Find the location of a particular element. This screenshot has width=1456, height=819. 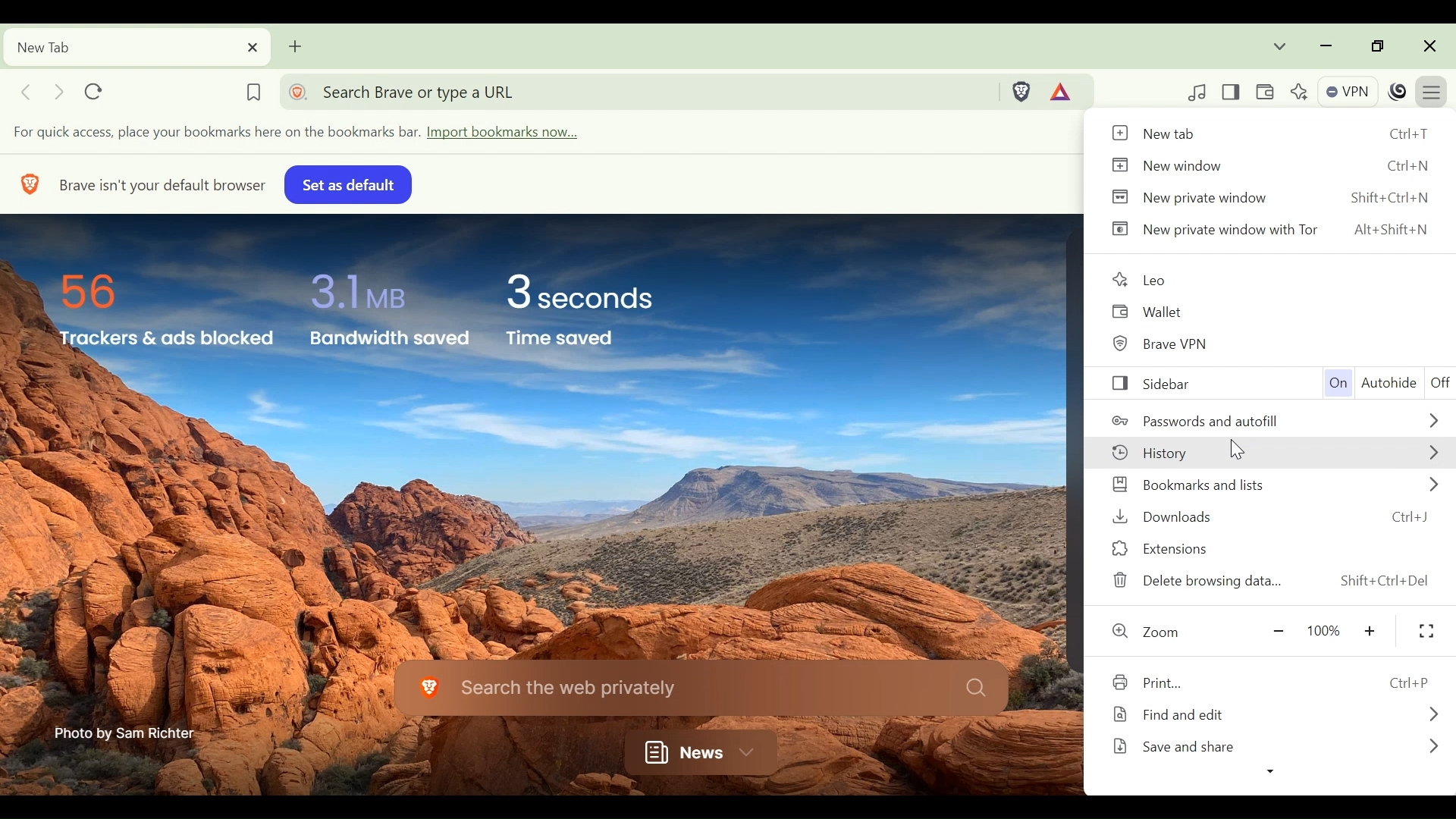

Add new tab is located at coordinates (297, 45).